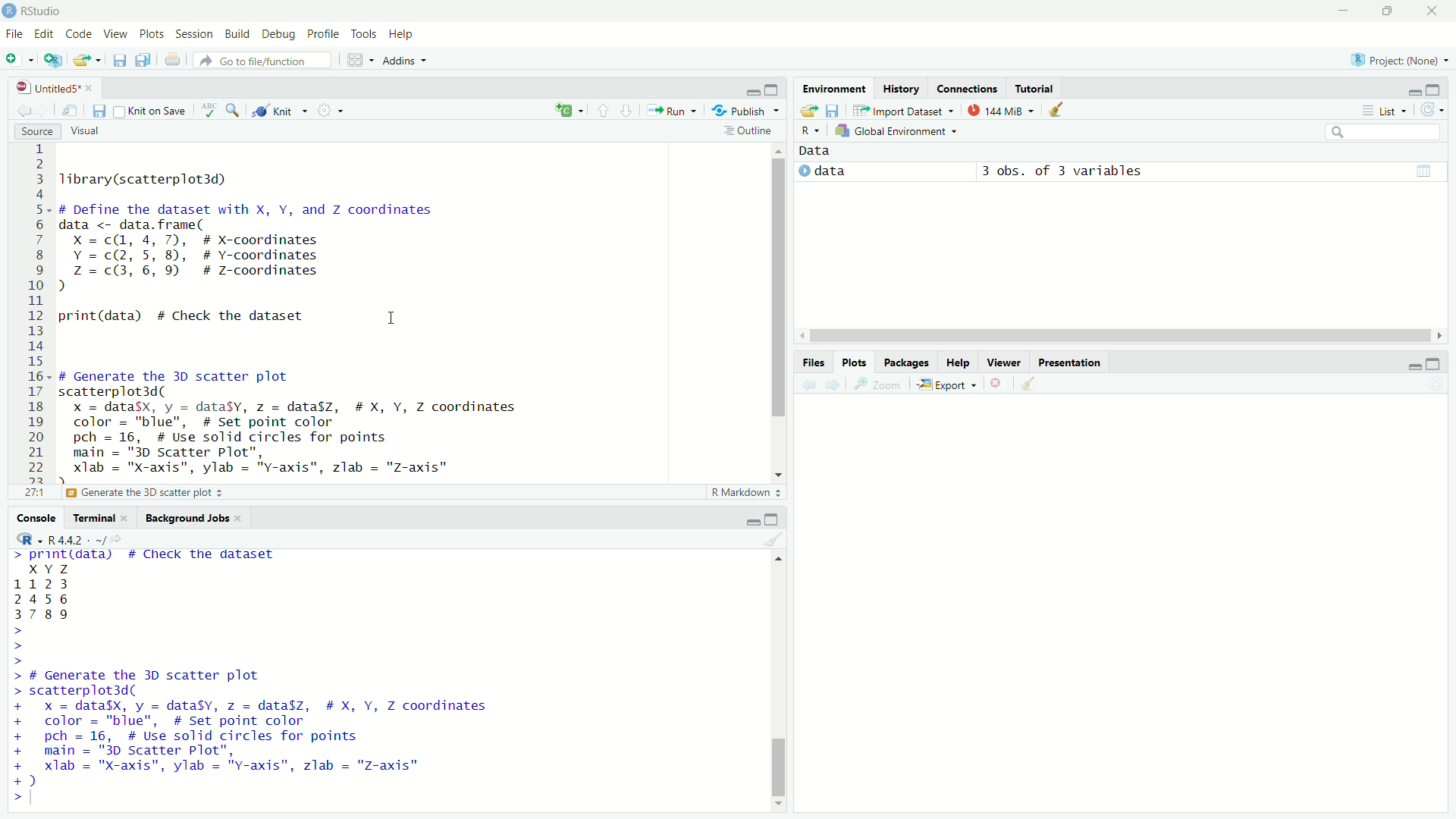 This screenshot has height=819, width=1456. Describe the element at coordinates (265, 60) in the screenshot. I see `Go to file/function` at that location.